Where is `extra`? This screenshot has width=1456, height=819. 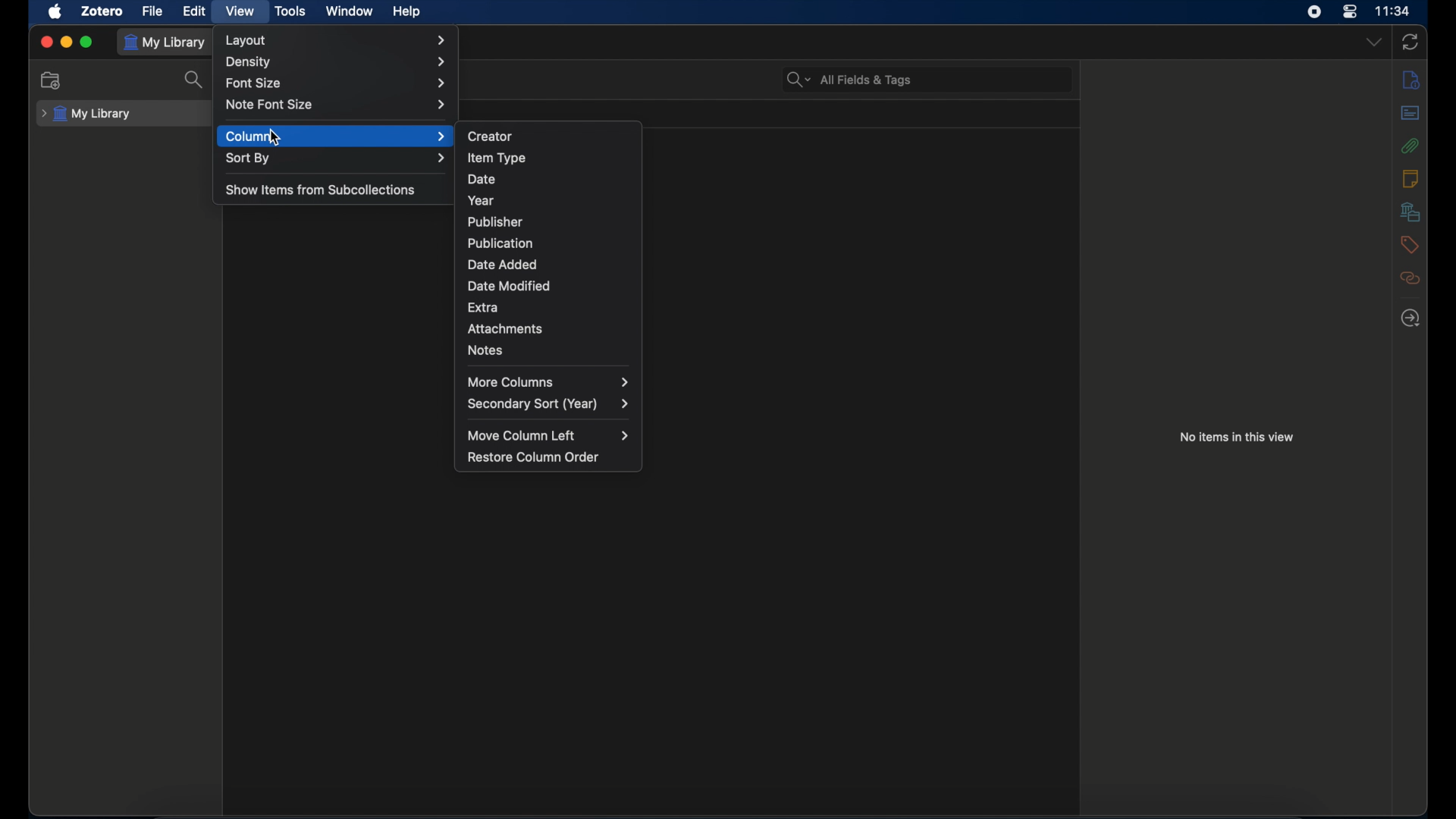
extra is located at coordinates (484, 307).